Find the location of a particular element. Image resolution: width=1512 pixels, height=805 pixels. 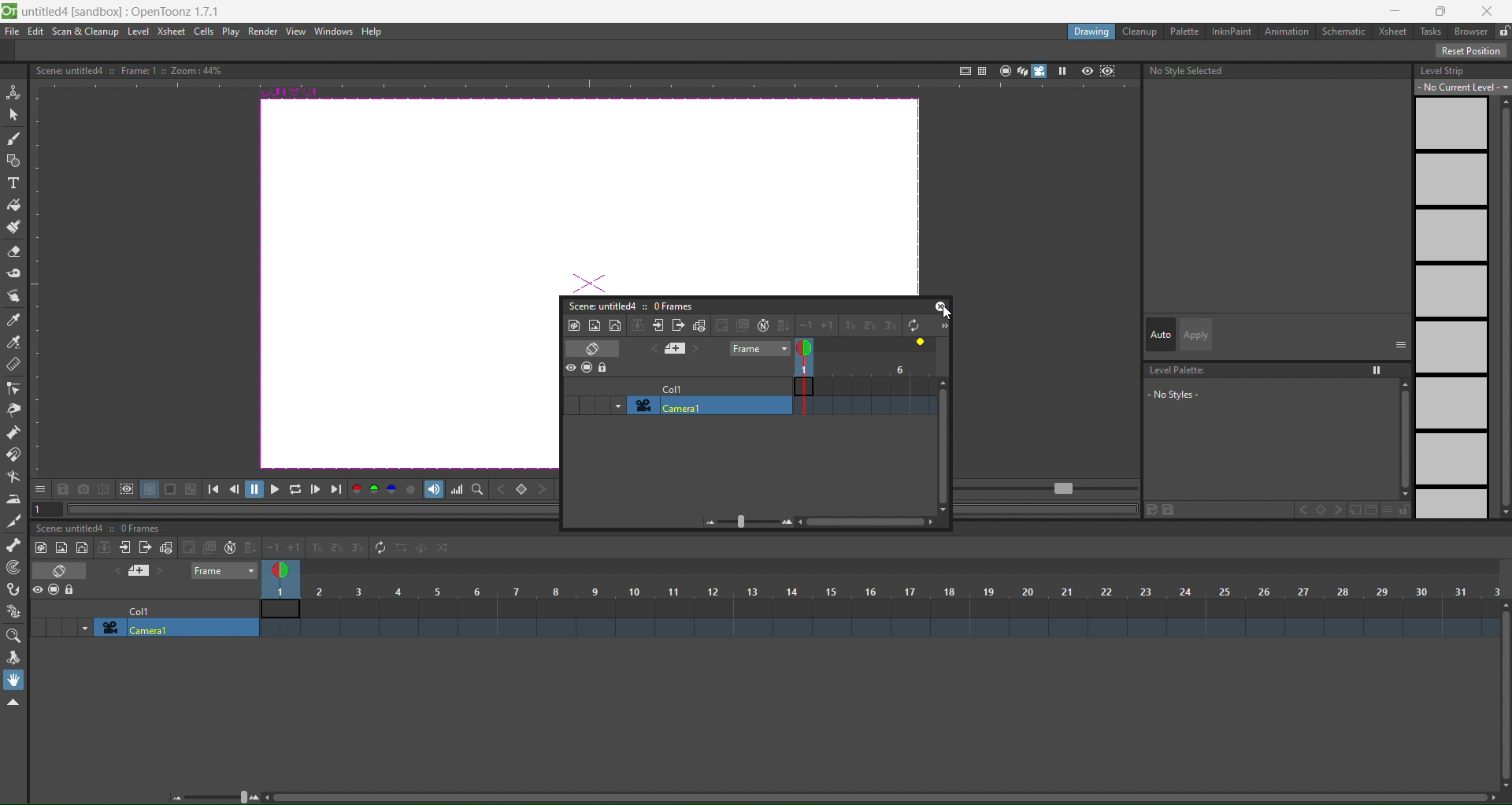

animation is located at coordinates (1290, 32).